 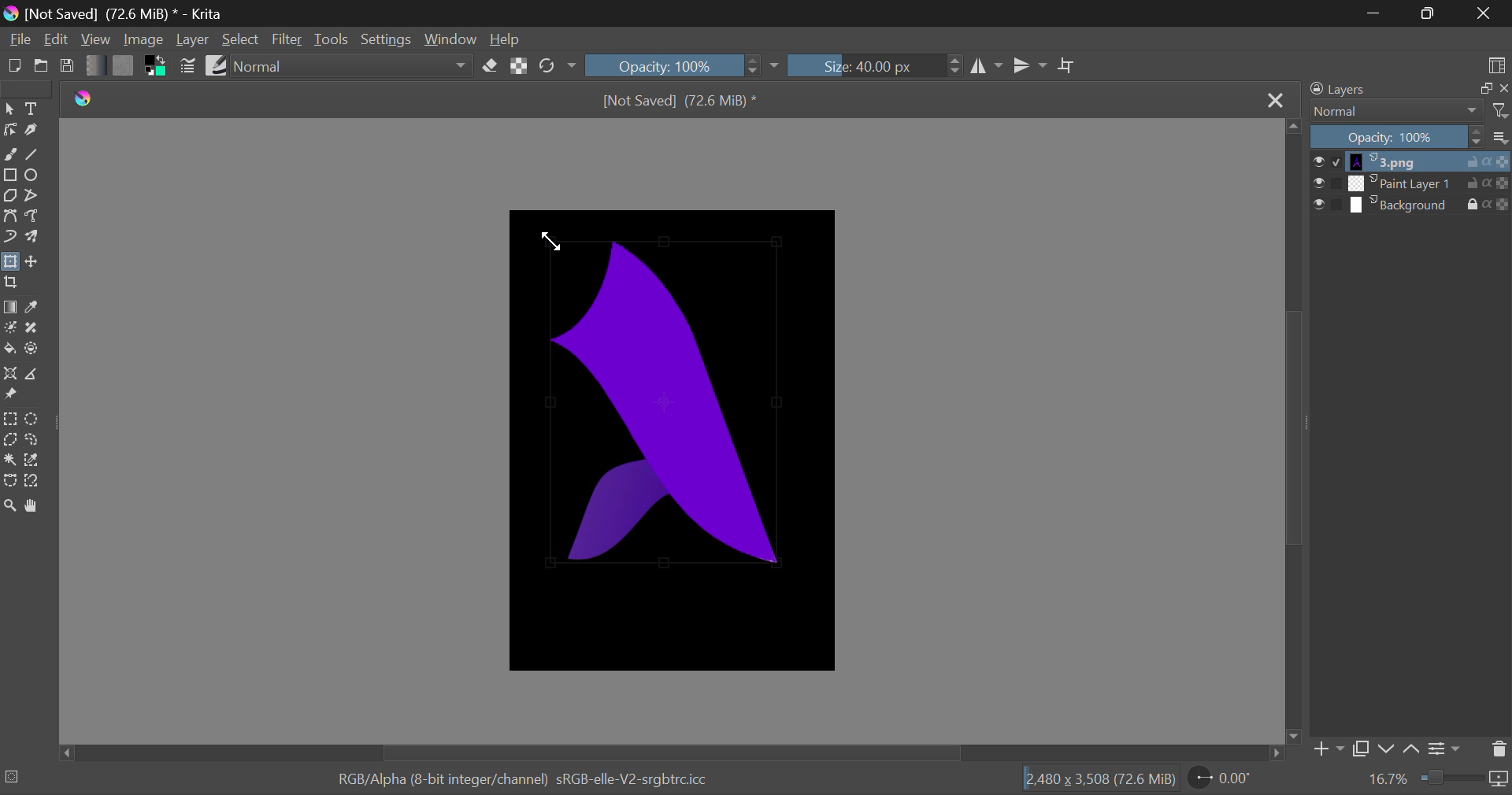 What do you see at coordinates (353, 65) in the screenshot?
I see `Blending Modes` at bounding box center [353, 65].